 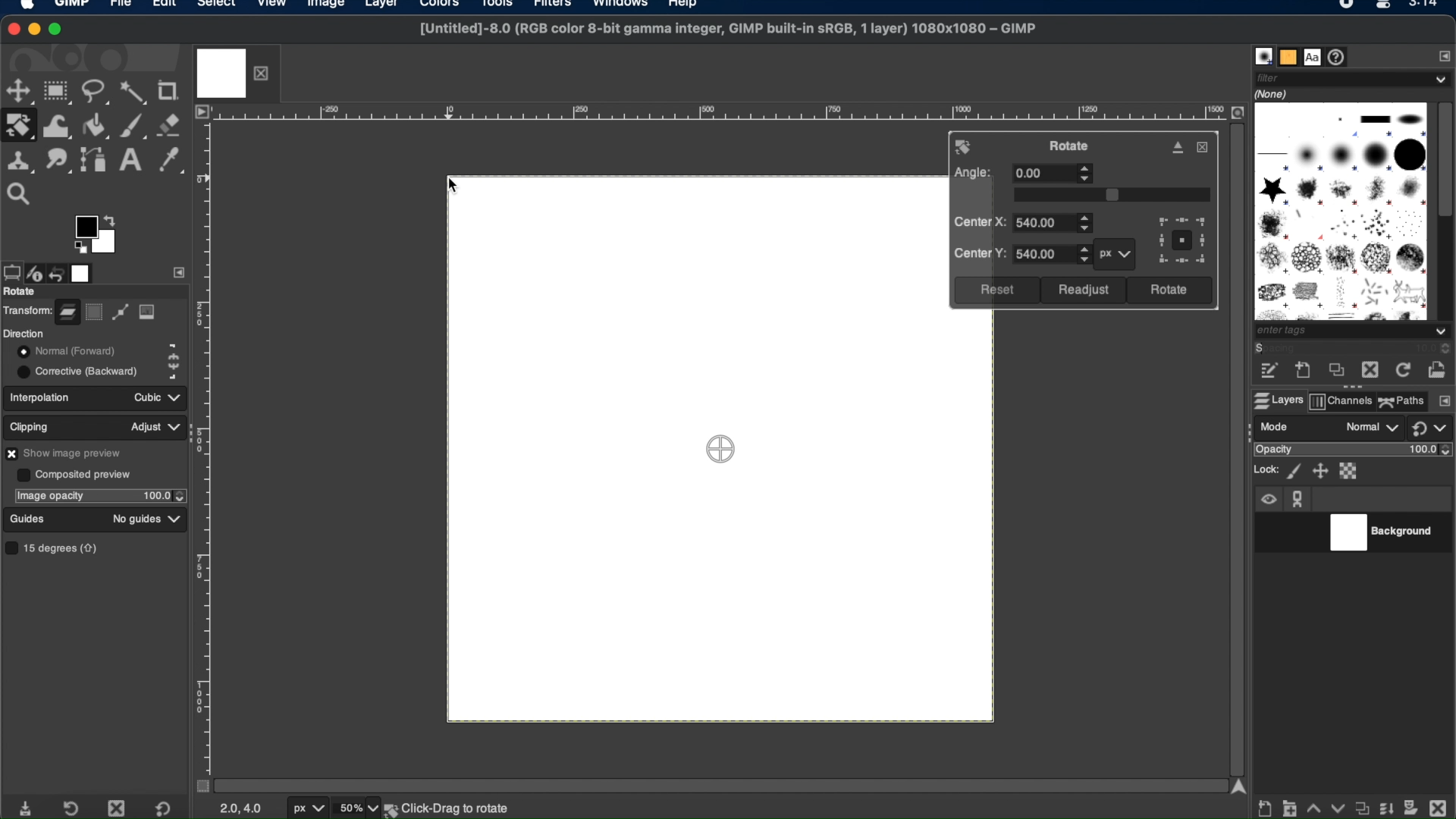 I want to click on reset, so click(x=996, y=290).